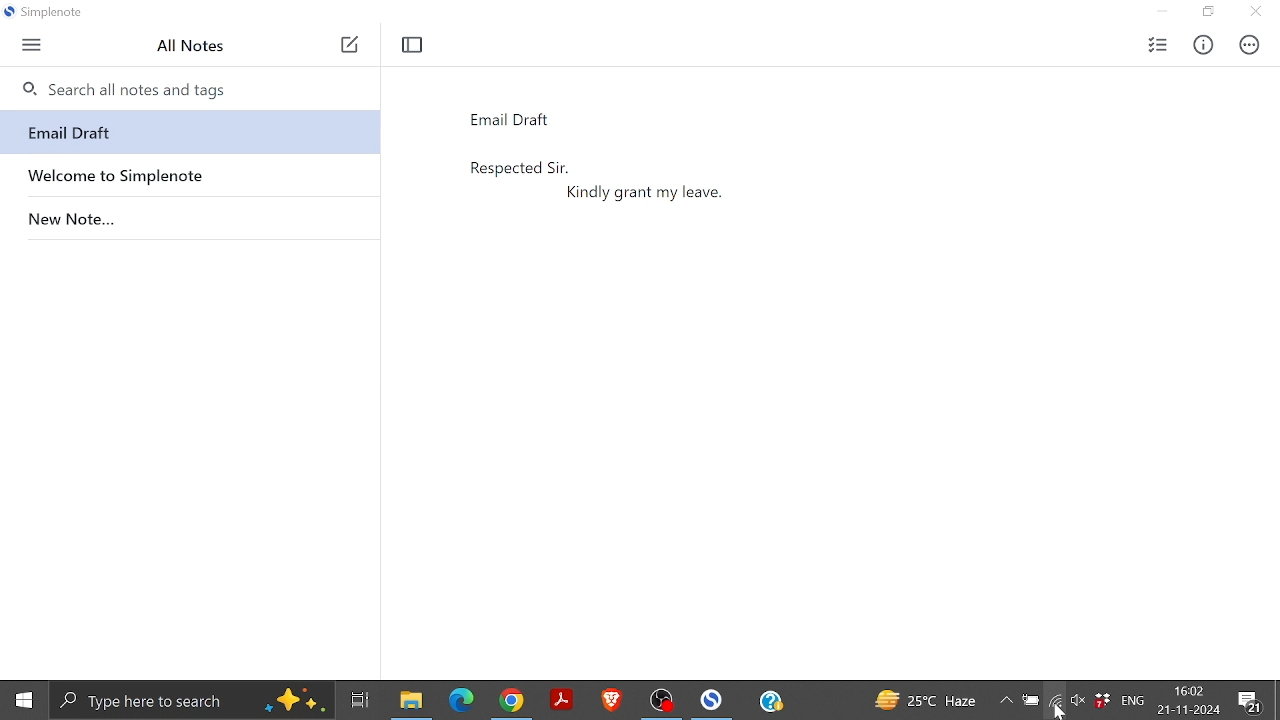 The width and height of the screenshot is (1280, 720). What do you see at coordinates (1103, 700) in the screenshot?
I see `Dropbox` at bounding box center [1103, 700].